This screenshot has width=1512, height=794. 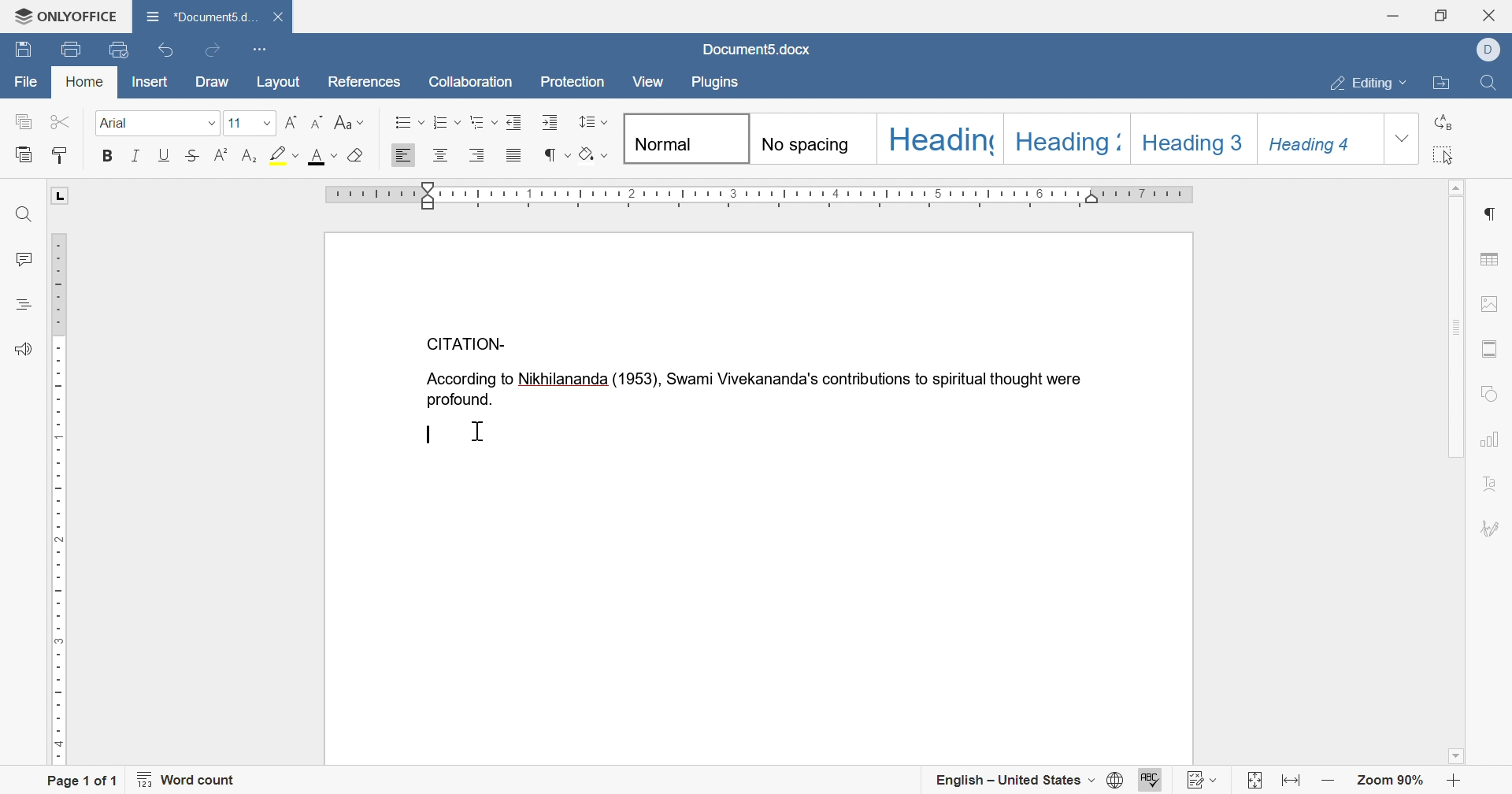 I want to click on chart settings, so click(x=1489, y=440).